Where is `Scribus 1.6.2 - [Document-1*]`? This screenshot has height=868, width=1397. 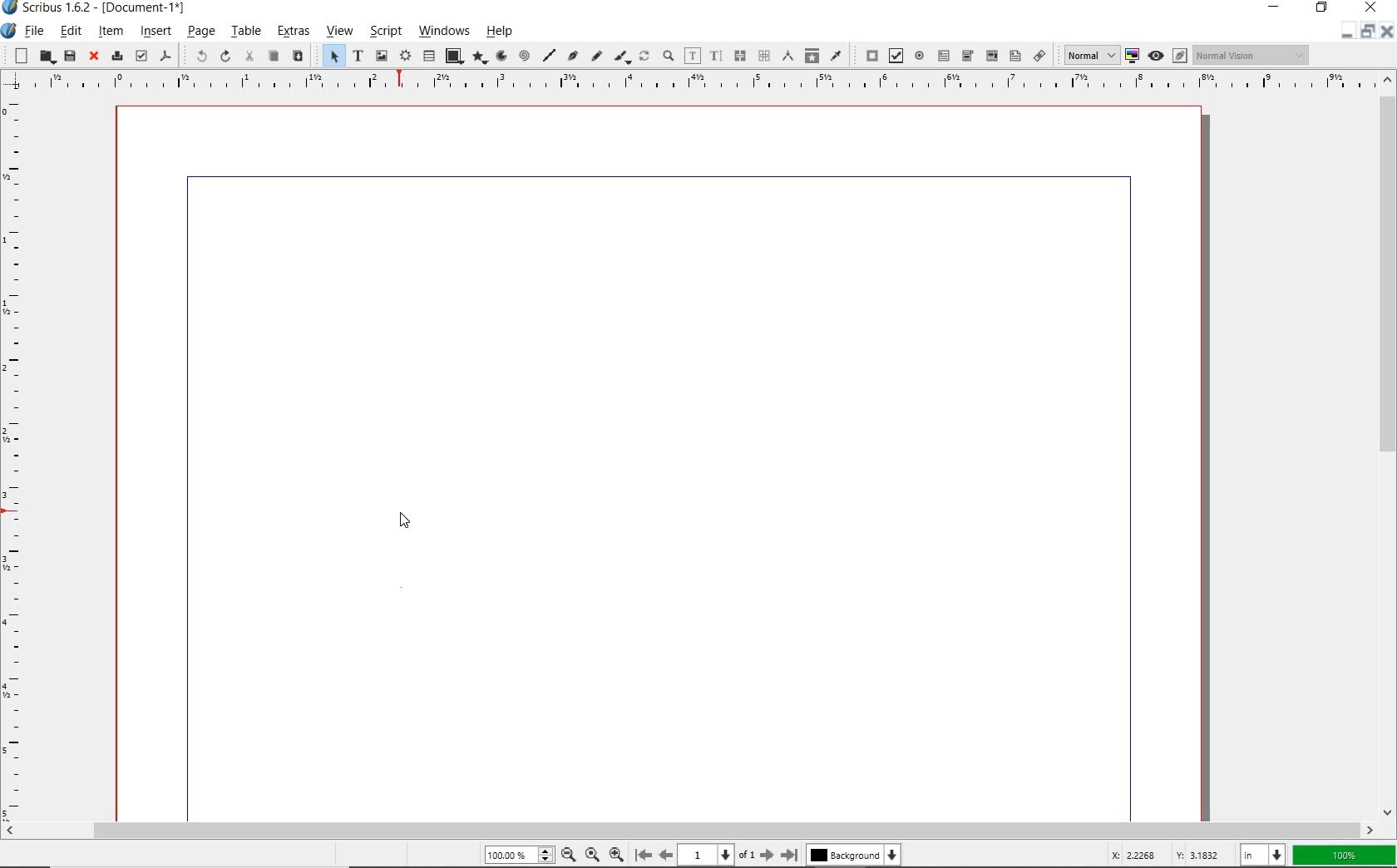 Scribus 1.6.2 - [Document-1*] is located at coordinates (99, 10).